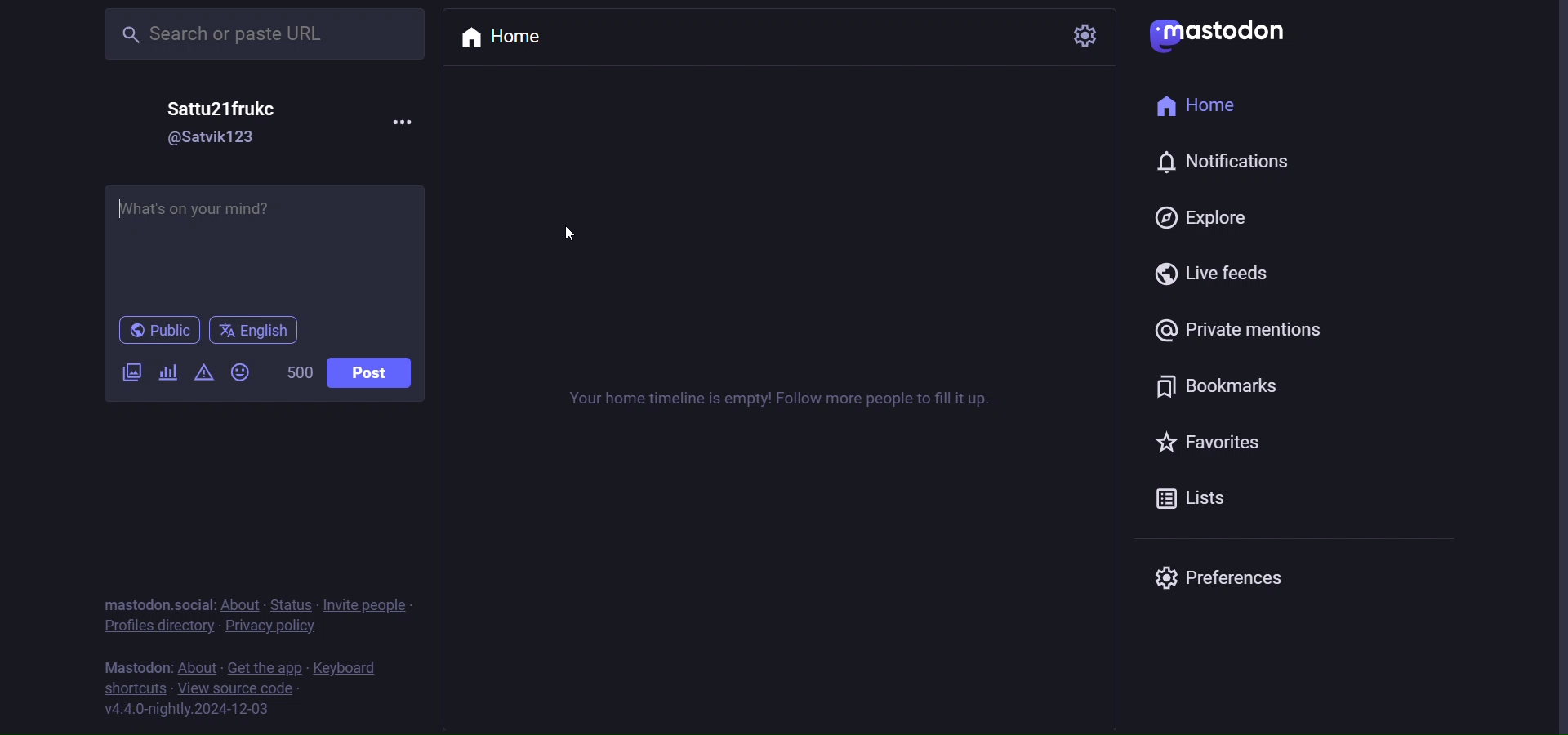  Describe the element at coordinates (368, 372) in the screenshot. I see `post` at that location.